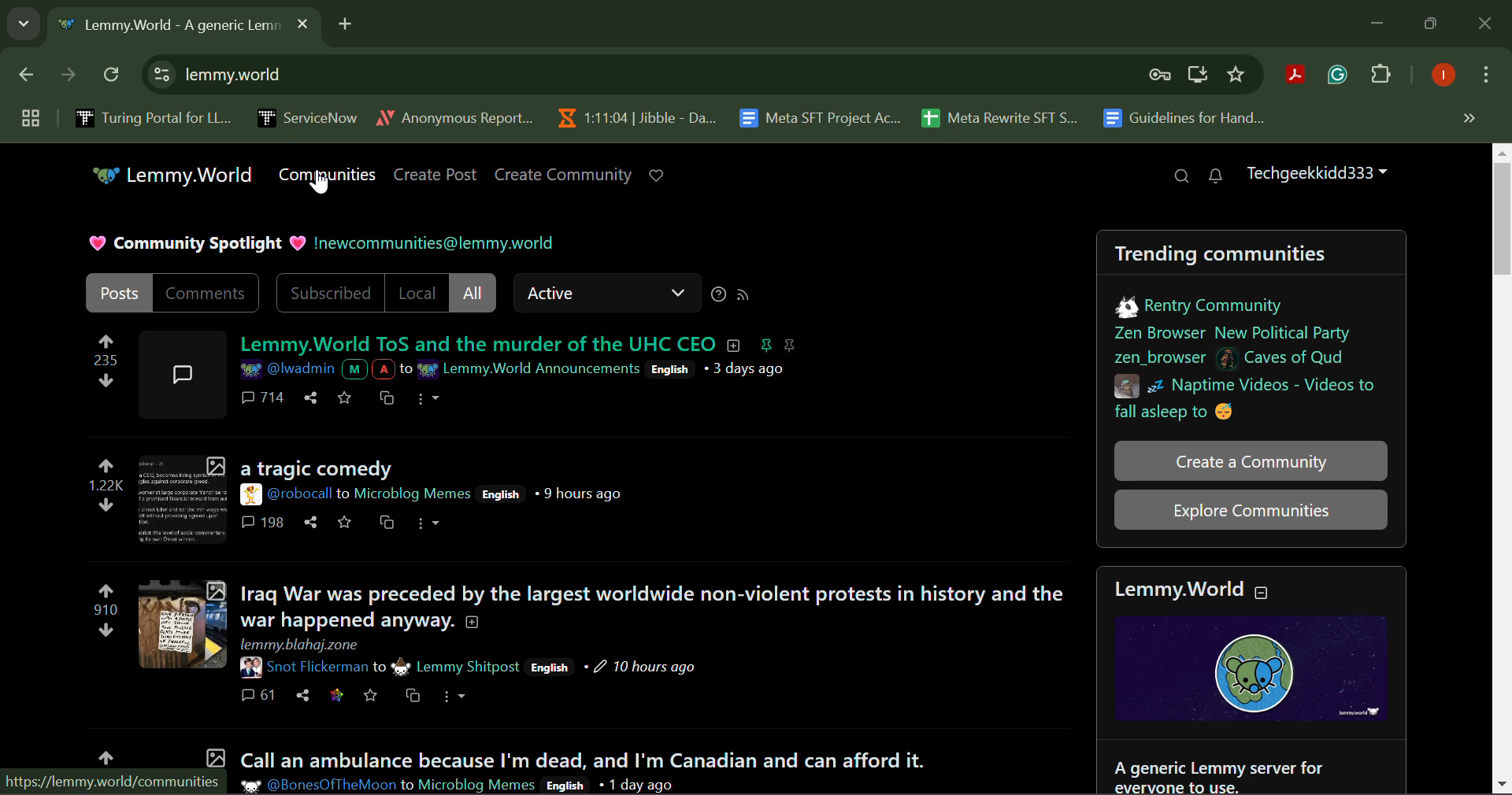  Describe the element at coordinates (1503, 469) in the screenshot. I see `Vertical Scroll Bar` at that location.